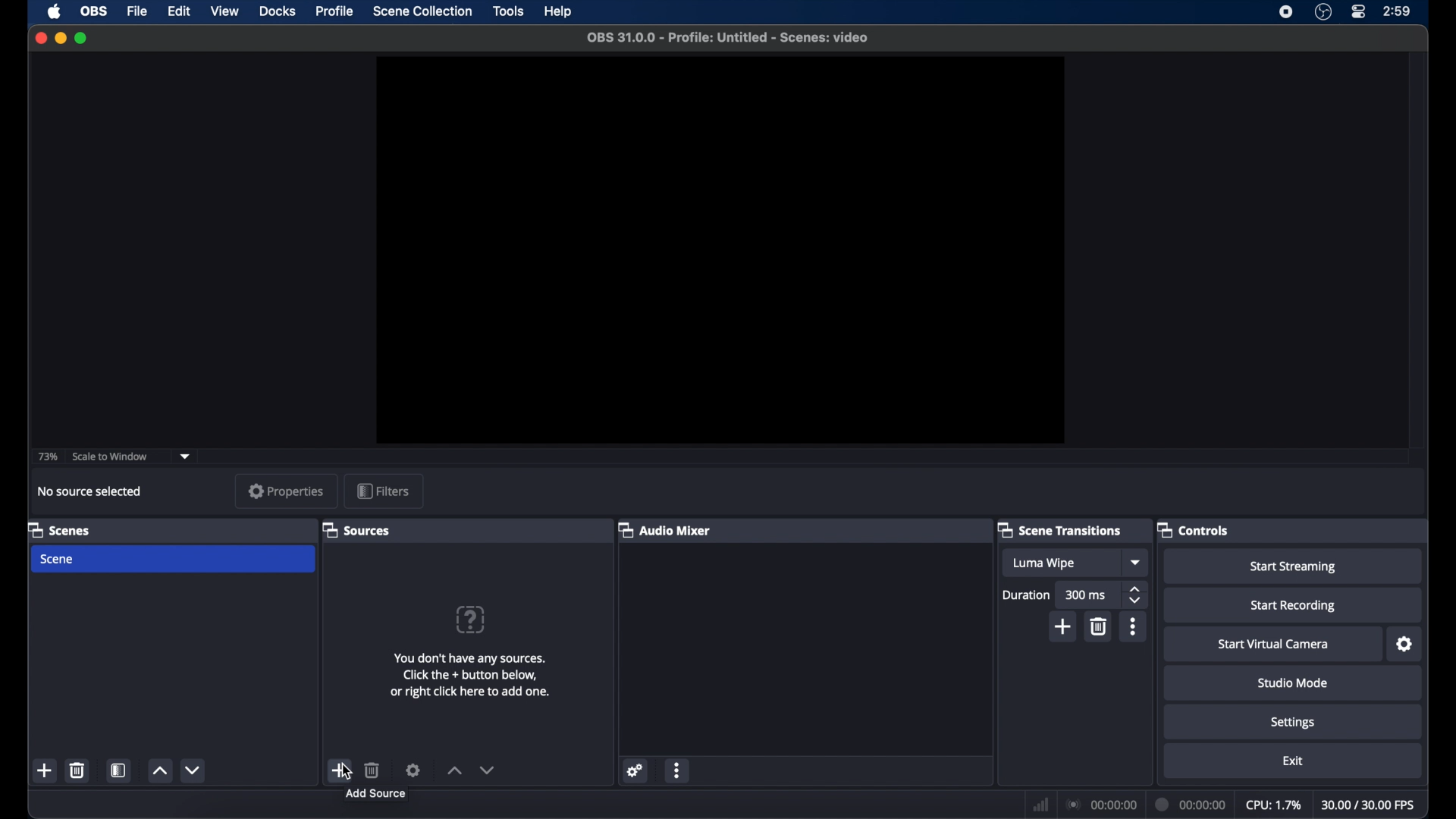 Image resolution: width=1456 pixels, height=819 pixels. What do you see at coordinates (1357, 12) in the screenshot?
I see `control center` at bounding box center [1357, 12].